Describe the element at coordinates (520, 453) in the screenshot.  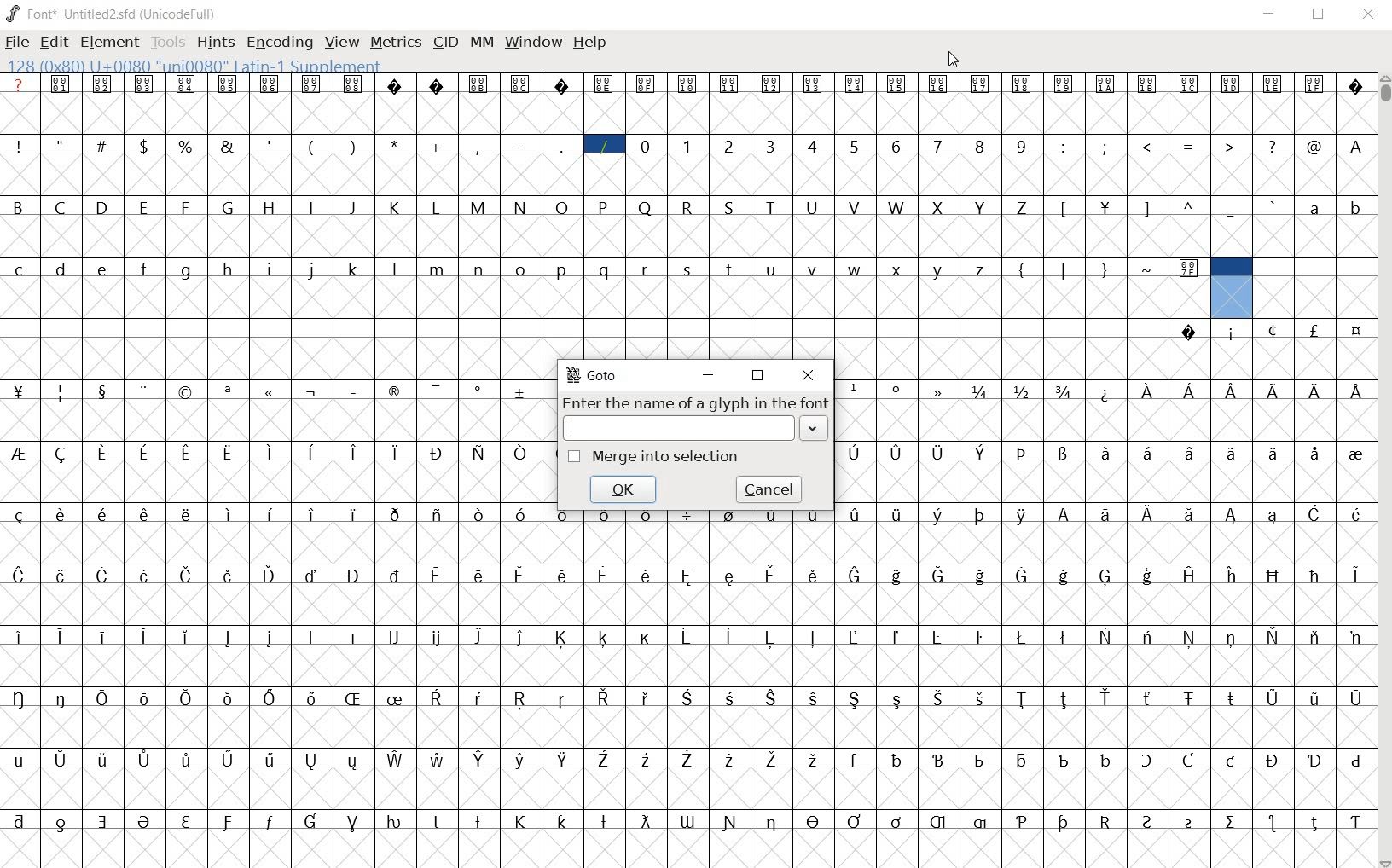
I see `Symbol` at that location.